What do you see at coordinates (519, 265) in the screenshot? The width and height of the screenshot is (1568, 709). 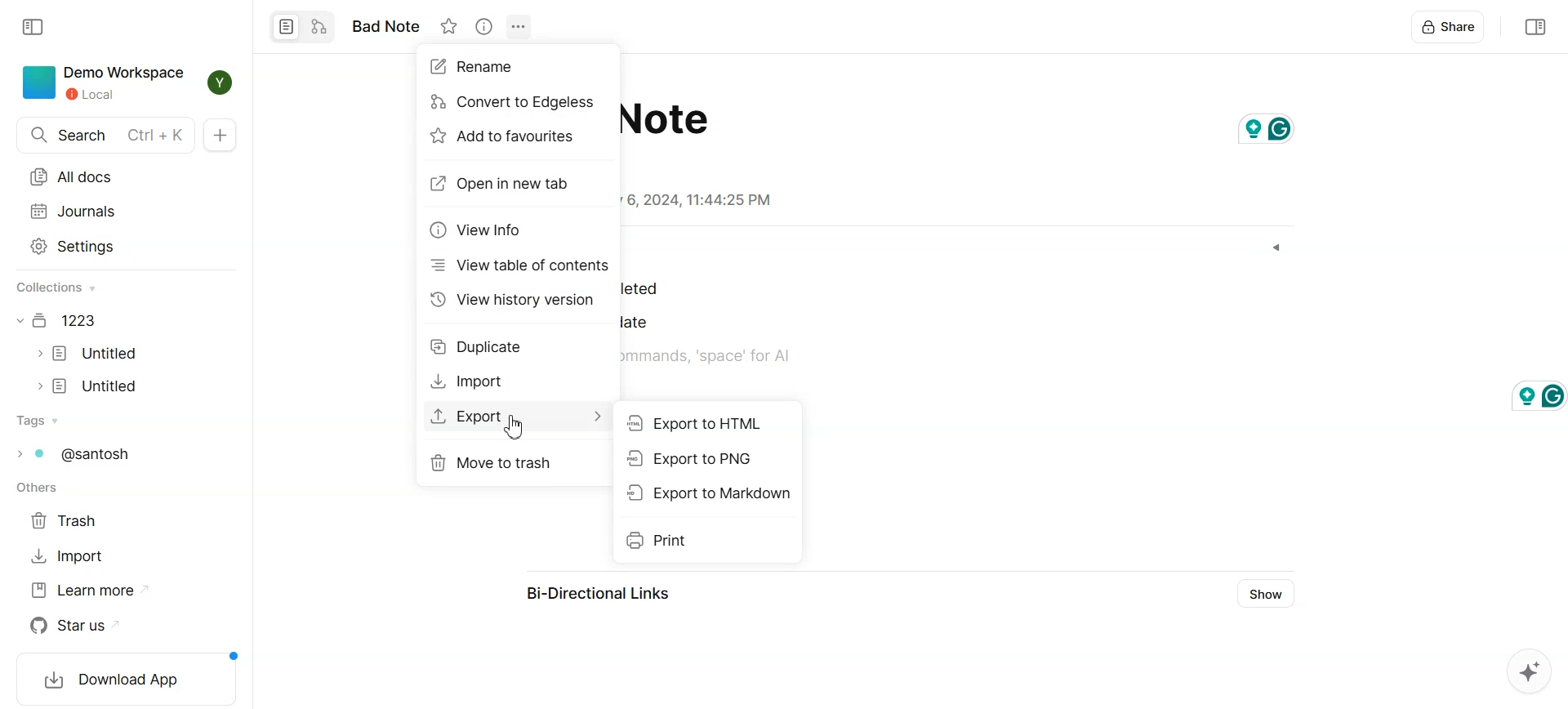 I see `View table of content` at bounding box center [519, 265].